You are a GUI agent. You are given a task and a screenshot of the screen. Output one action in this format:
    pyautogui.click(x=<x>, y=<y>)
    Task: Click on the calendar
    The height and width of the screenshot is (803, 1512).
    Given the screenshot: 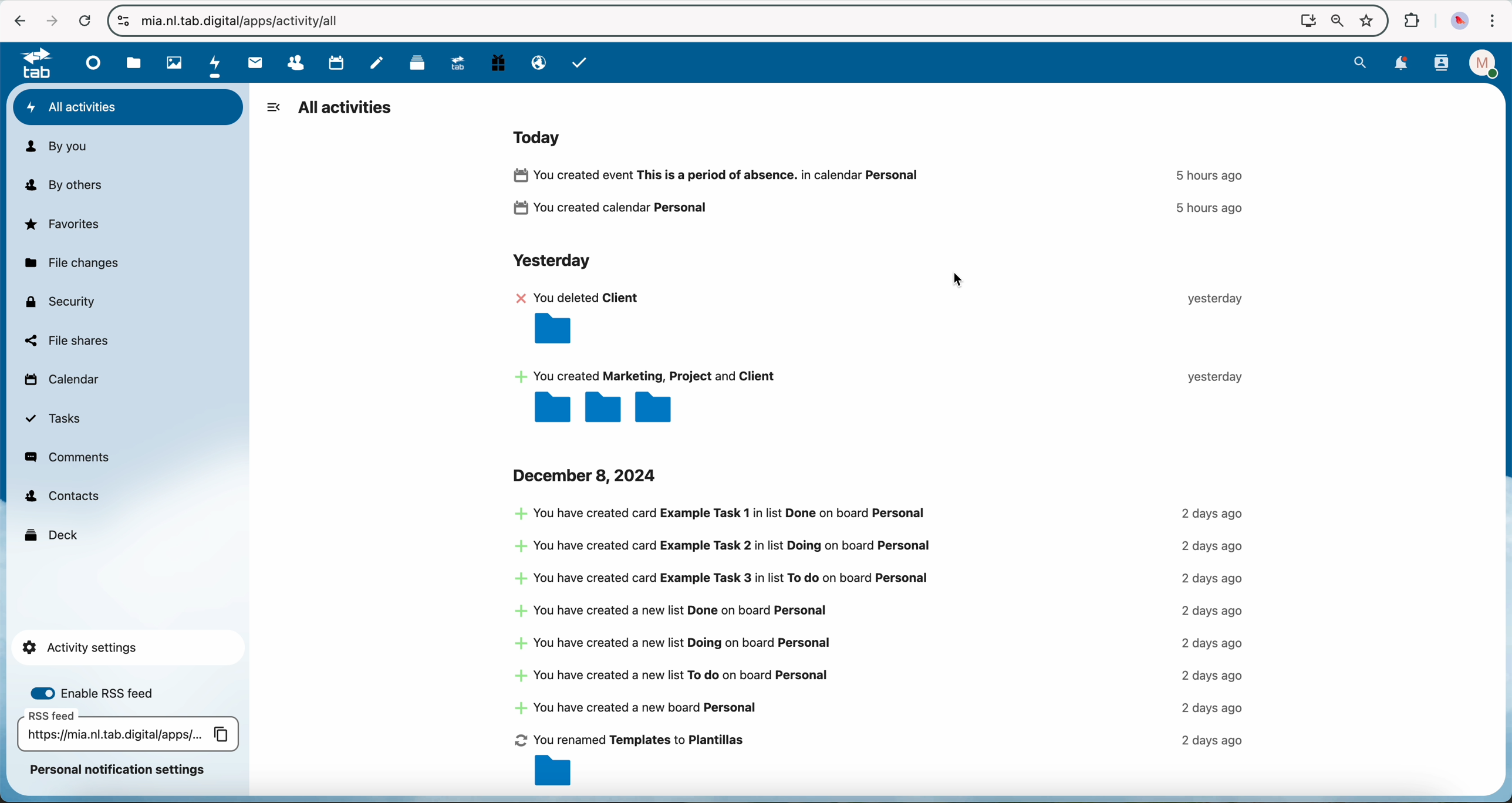 What is the action you would take?
    pyautogui.click(x=60, y=382)
    